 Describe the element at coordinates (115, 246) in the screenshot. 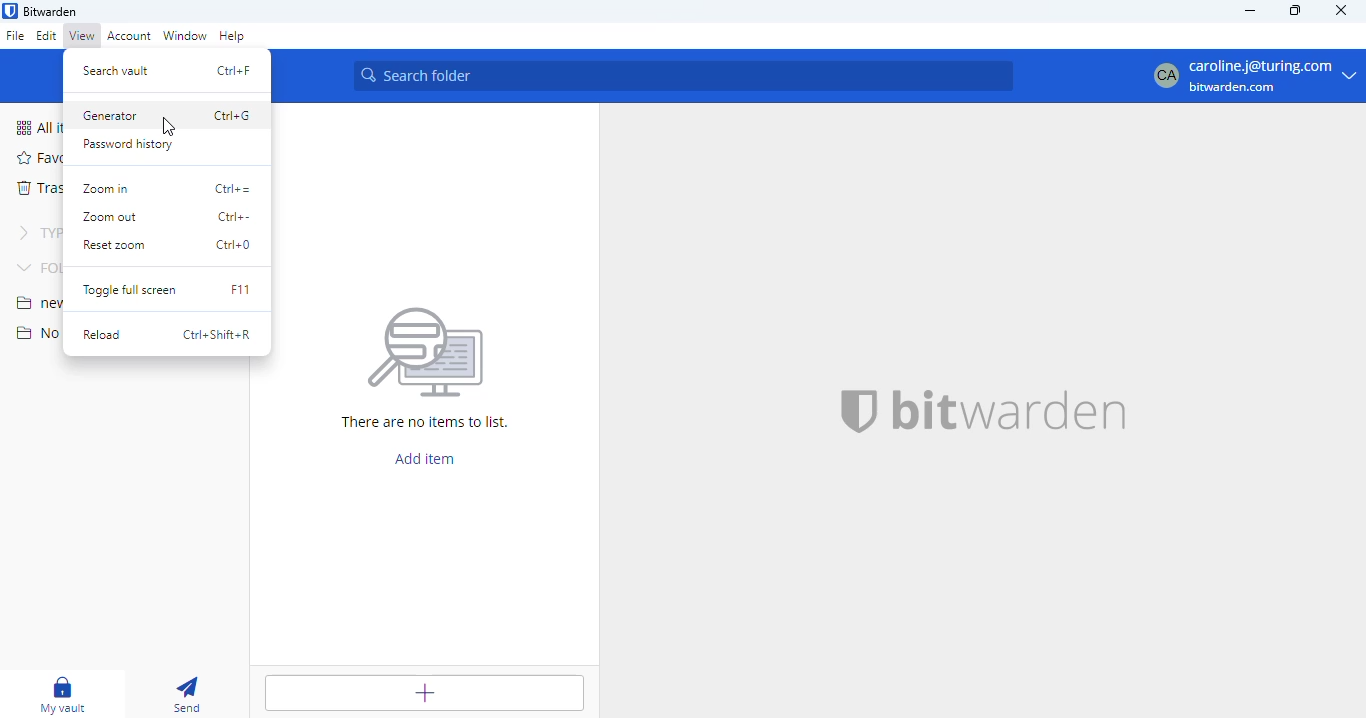

I see `reset zoom` at that location.